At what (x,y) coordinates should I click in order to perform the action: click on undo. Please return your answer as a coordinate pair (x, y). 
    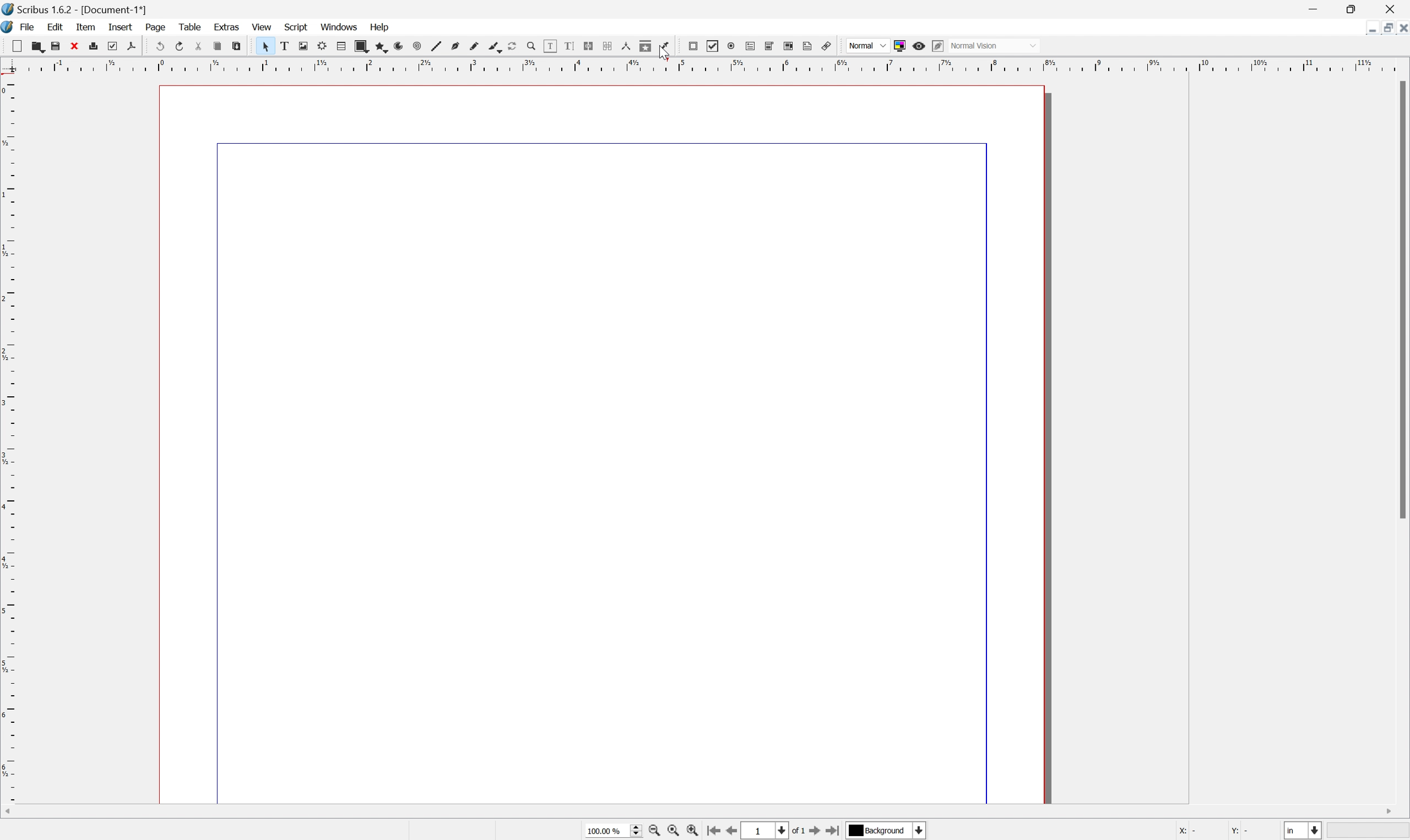
    Looking at the image, I should click on (158, 46).